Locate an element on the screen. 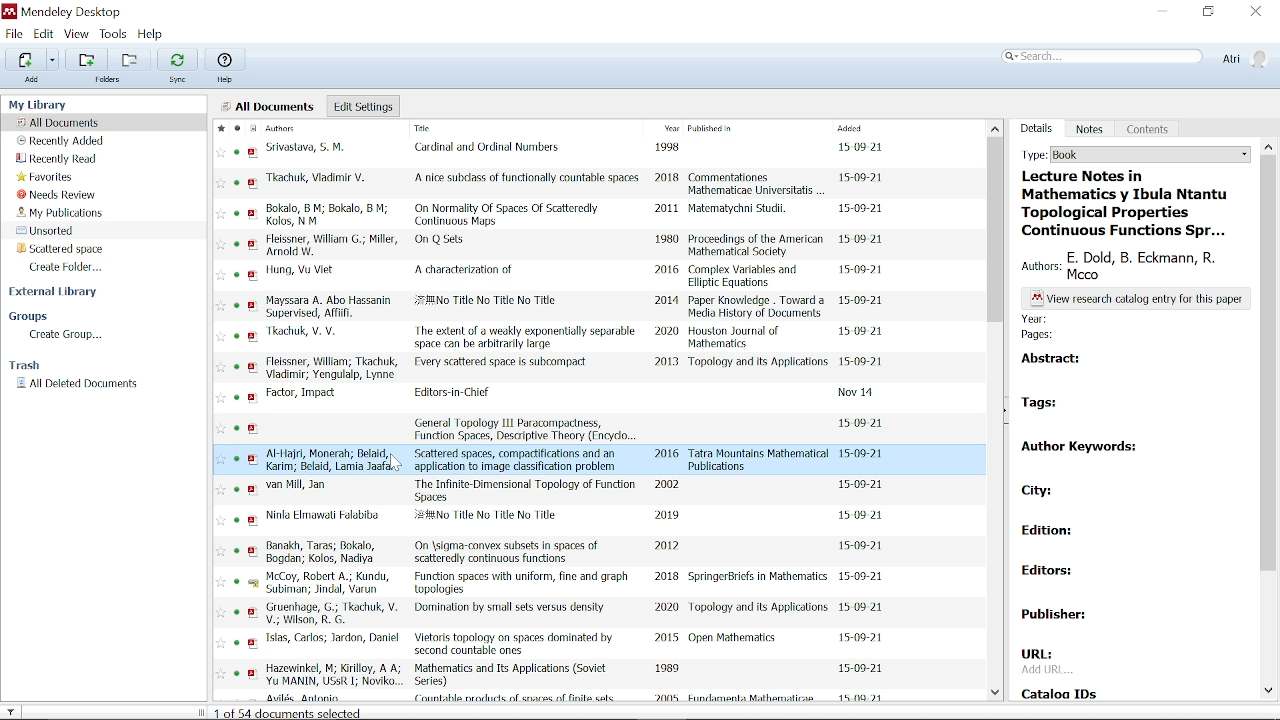 This screenshot has width=1280, height=720. pages is located at coordinates (1045, 335).